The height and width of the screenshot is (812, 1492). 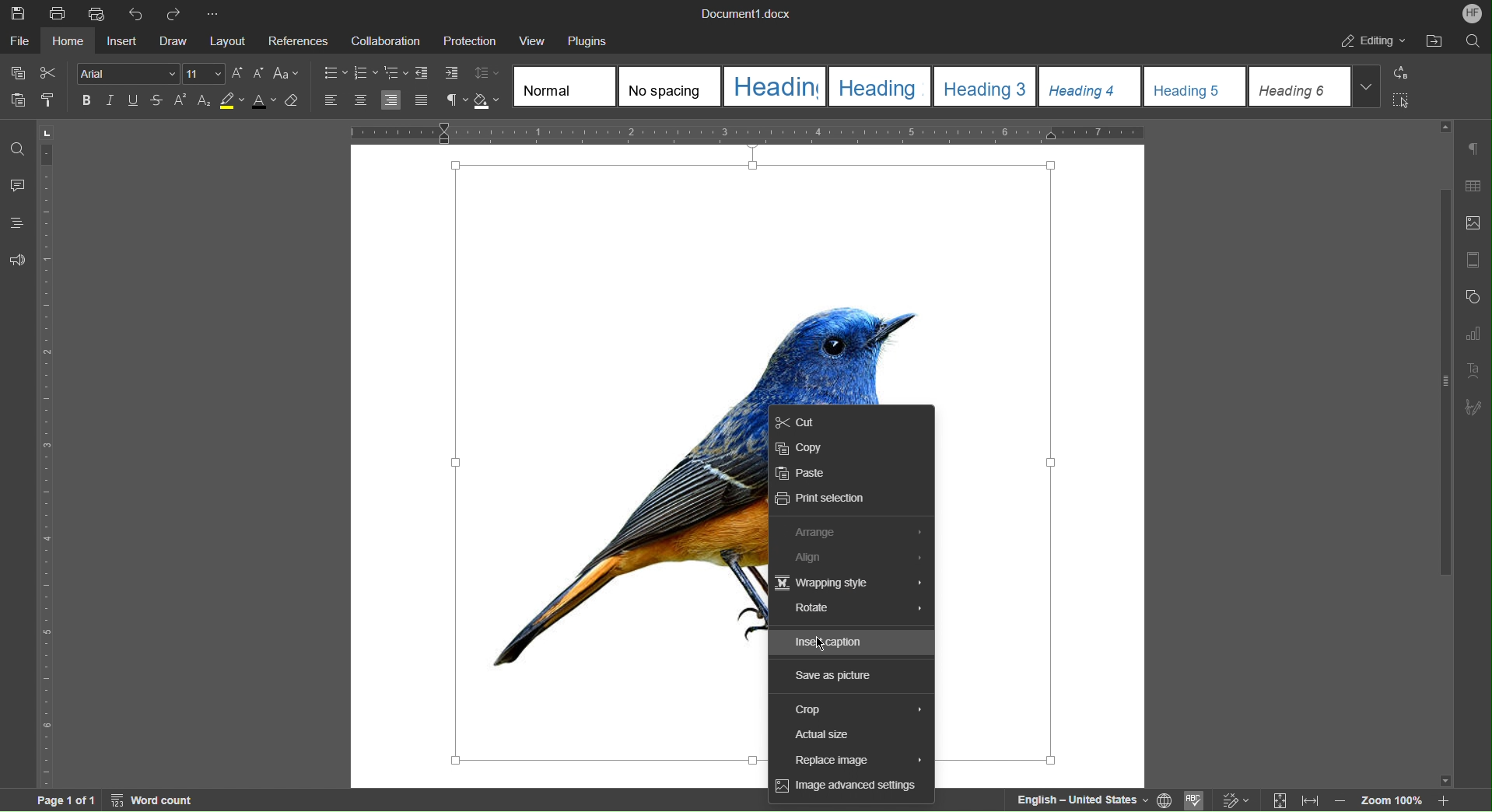 I want to click on Graphs, so click(x=1472, y=334).